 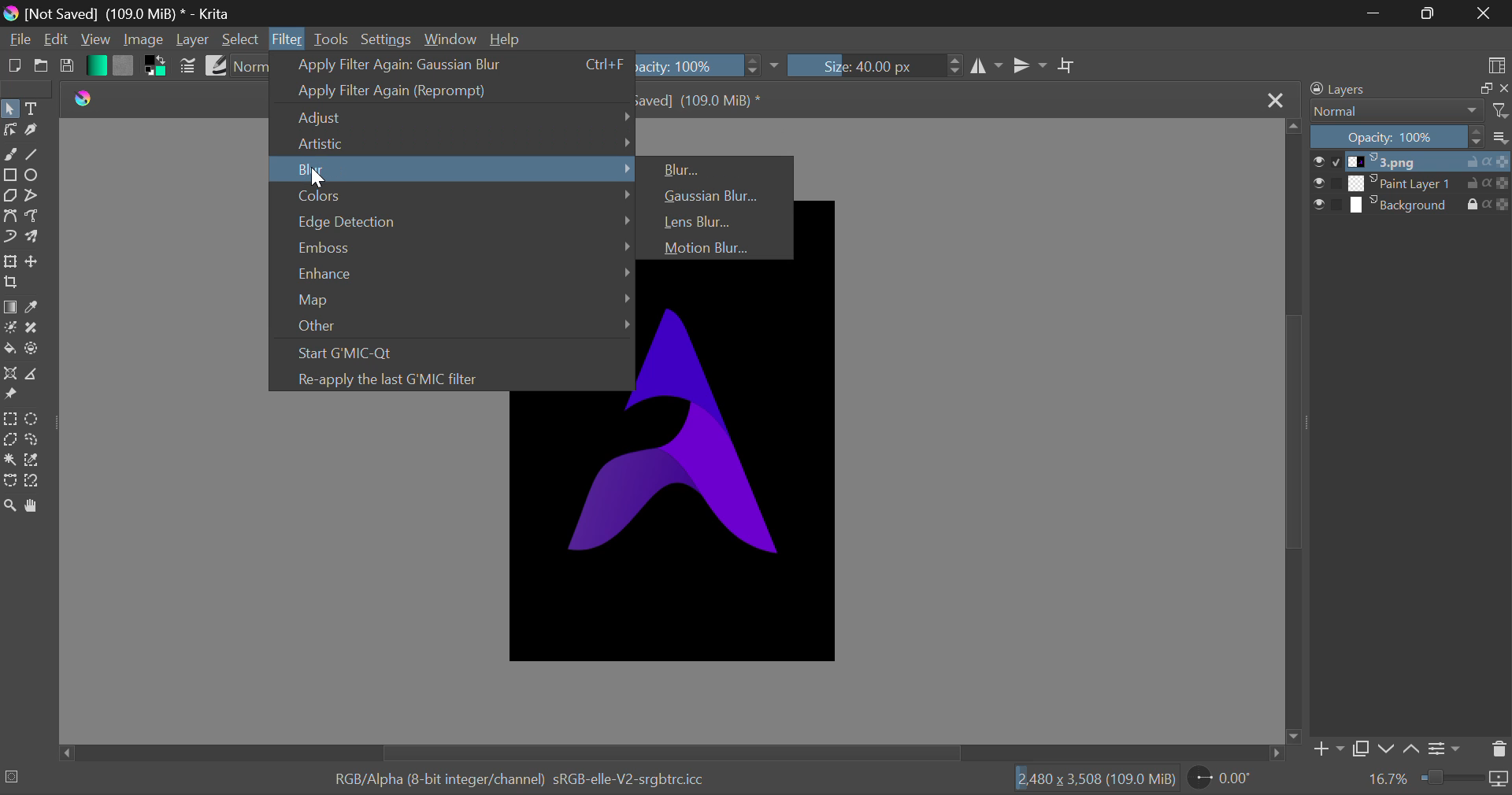 I want to click on Gaussian Blur, so click(x=714, y=195).